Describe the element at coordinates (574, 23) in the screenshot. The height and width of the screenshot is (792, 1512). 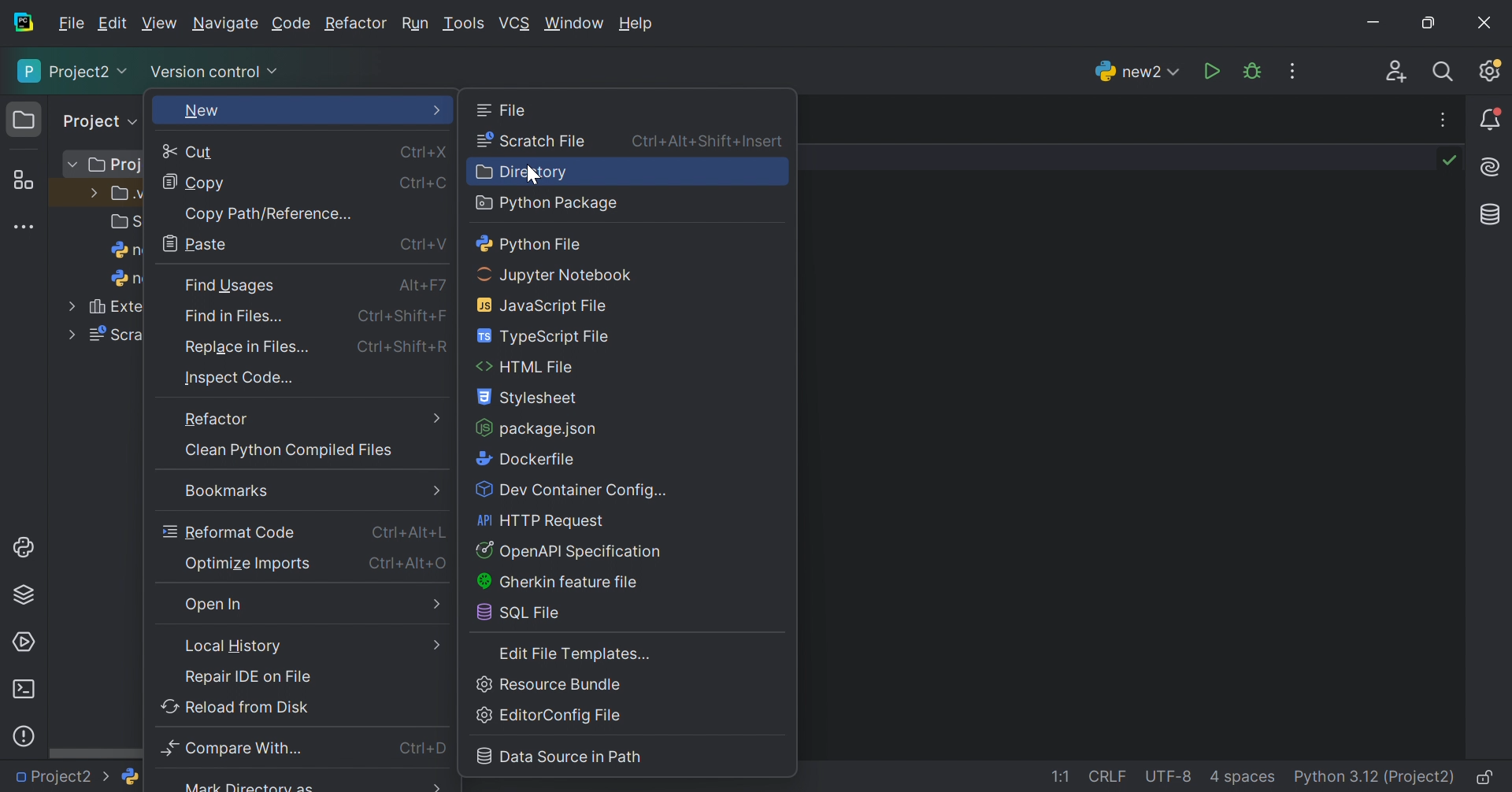
I see `Window` at that location.